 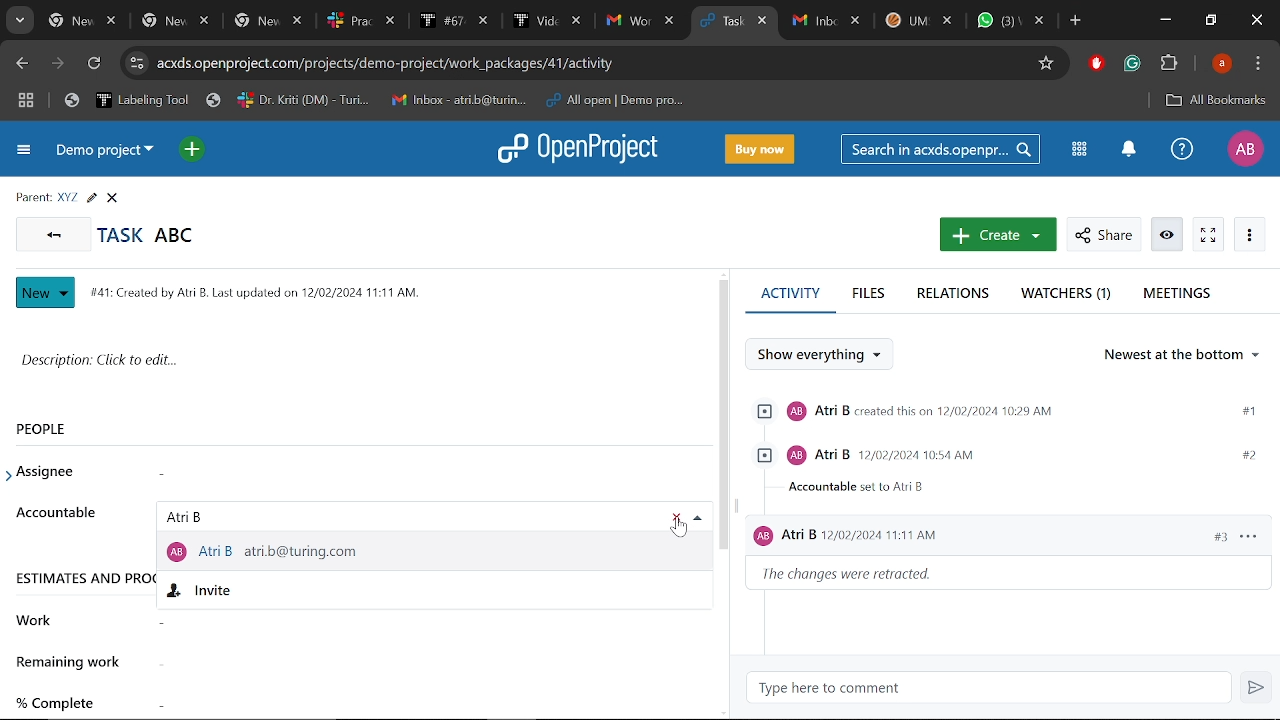 I want to click on Notifications, so click(x=1129, y=150).